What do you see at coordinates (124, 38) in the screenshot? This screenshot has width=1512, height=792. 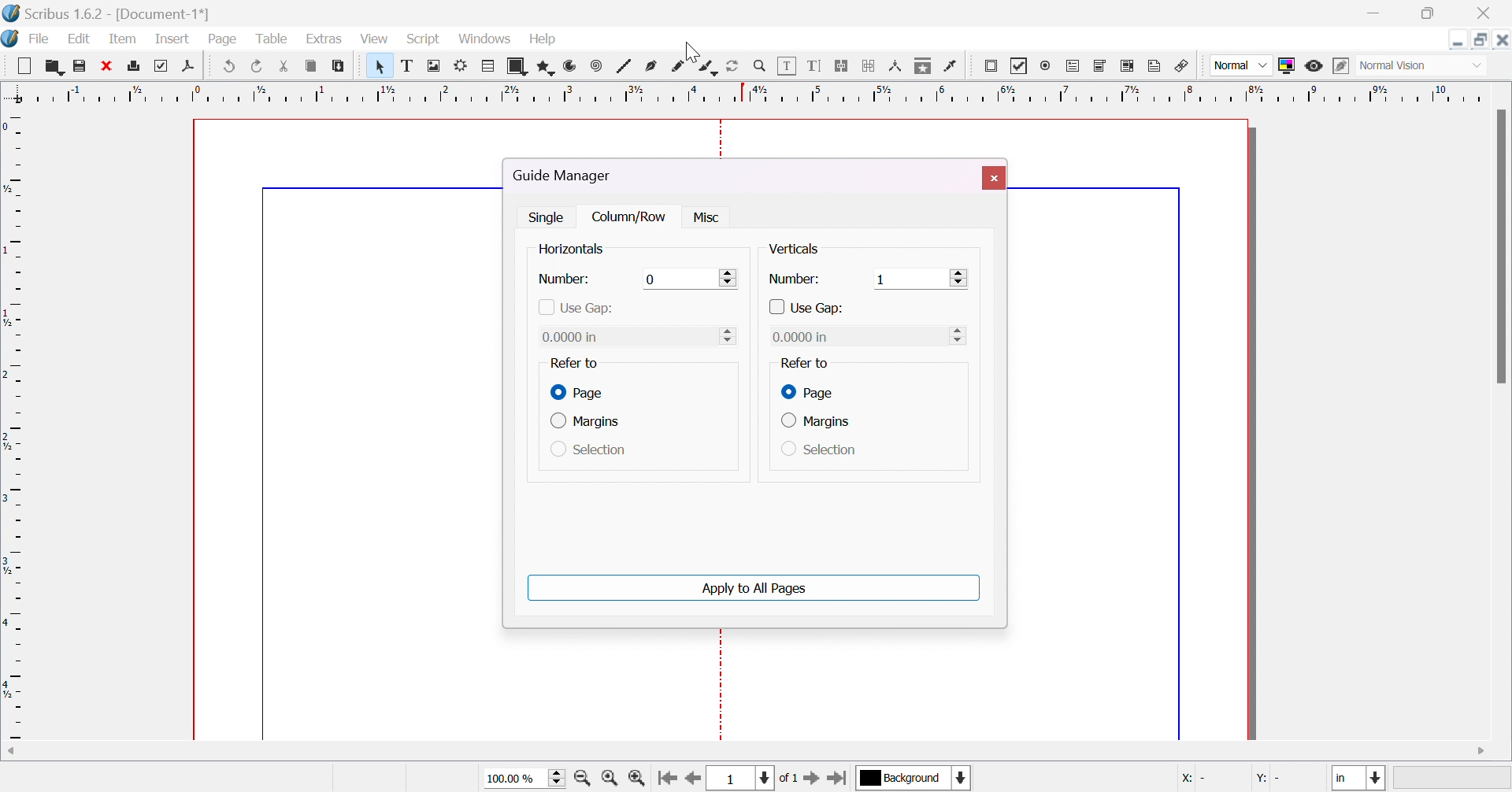 I see `item` at bounding box center [124, 38].